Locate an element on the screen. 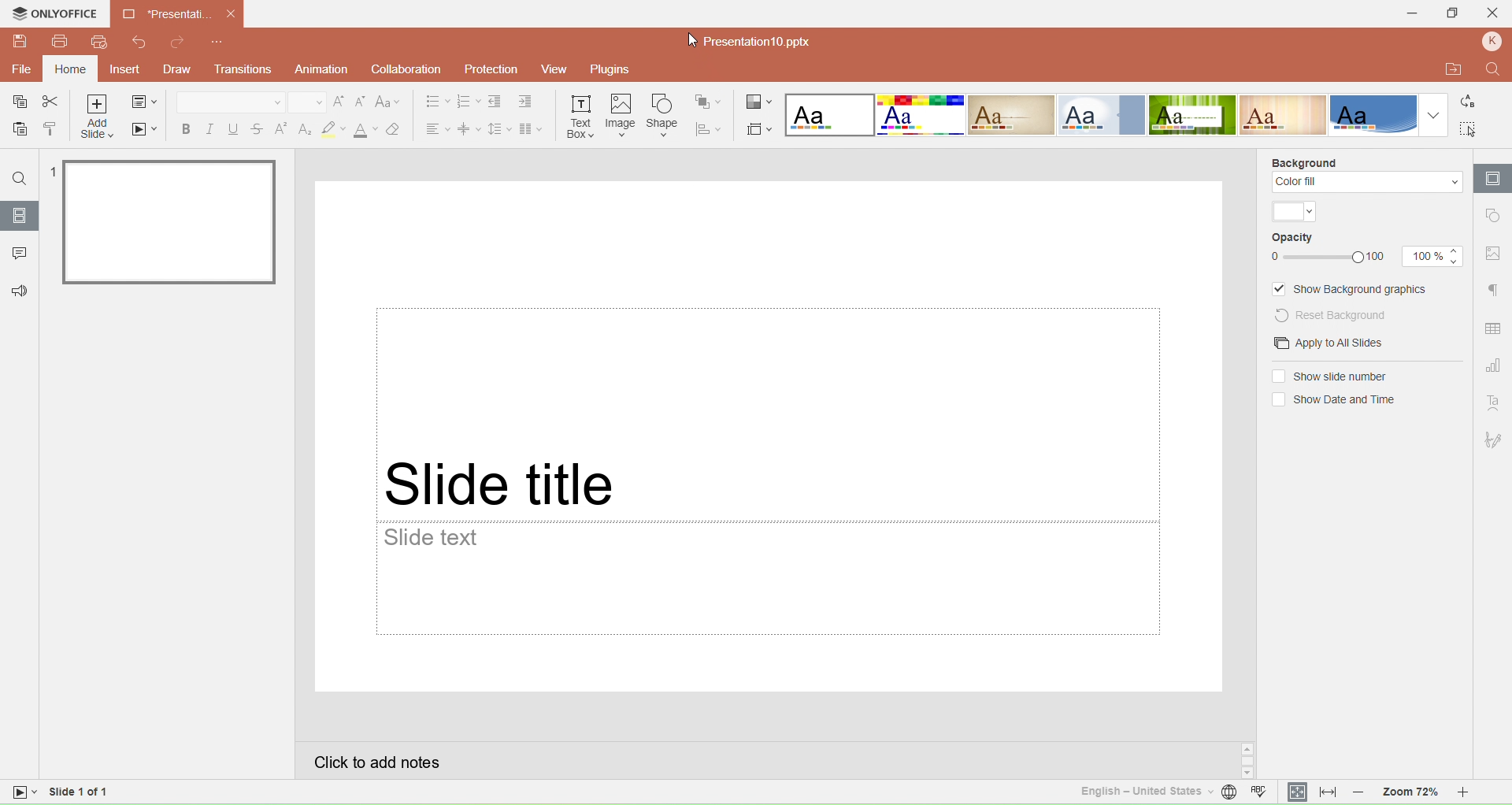 Image resolution: width=1512 pixels, height=805 pixels. Insert is located at coordinates (124, 70).